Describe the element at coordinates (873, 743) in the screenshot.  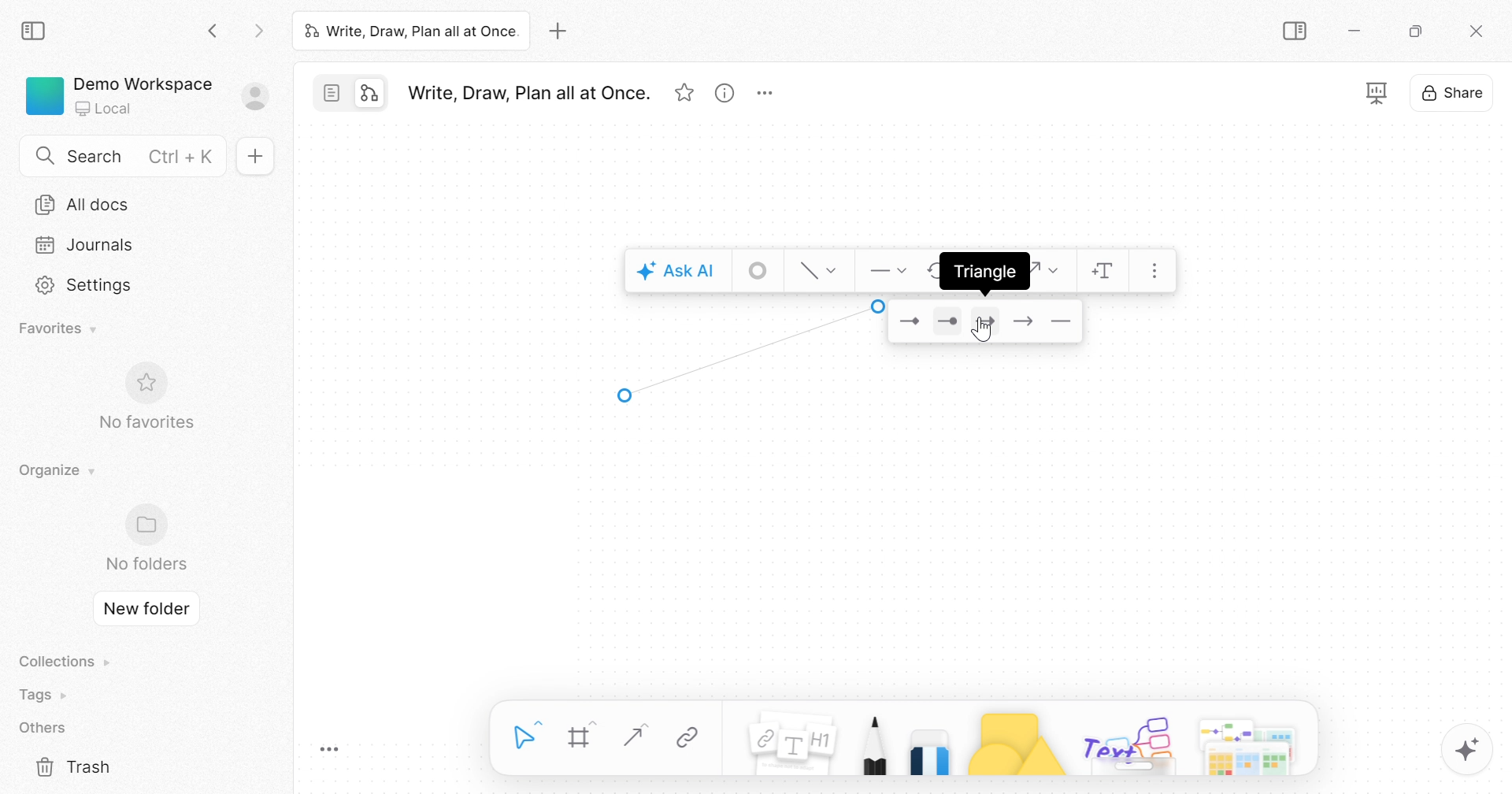
I see `Pen` at that location.